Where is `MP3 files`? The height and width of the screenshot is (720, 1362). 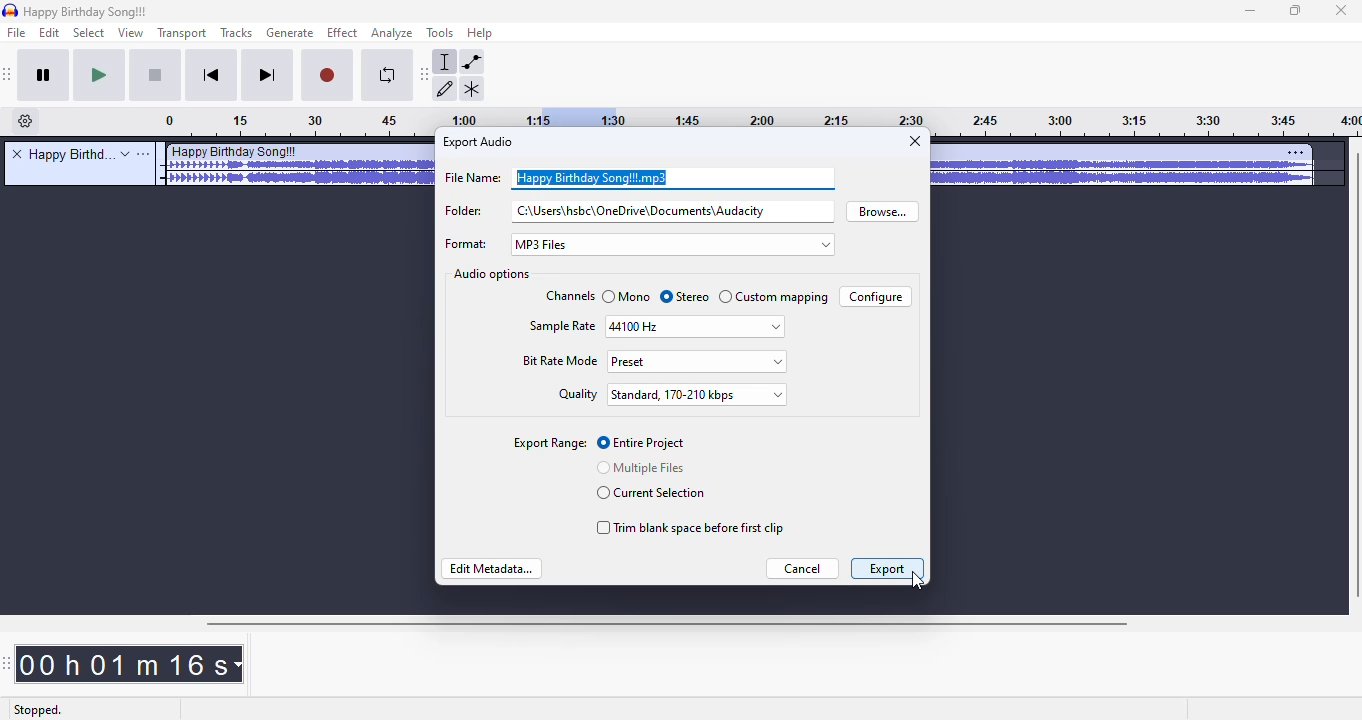 MP3 files is located at coordinates (673, 245).